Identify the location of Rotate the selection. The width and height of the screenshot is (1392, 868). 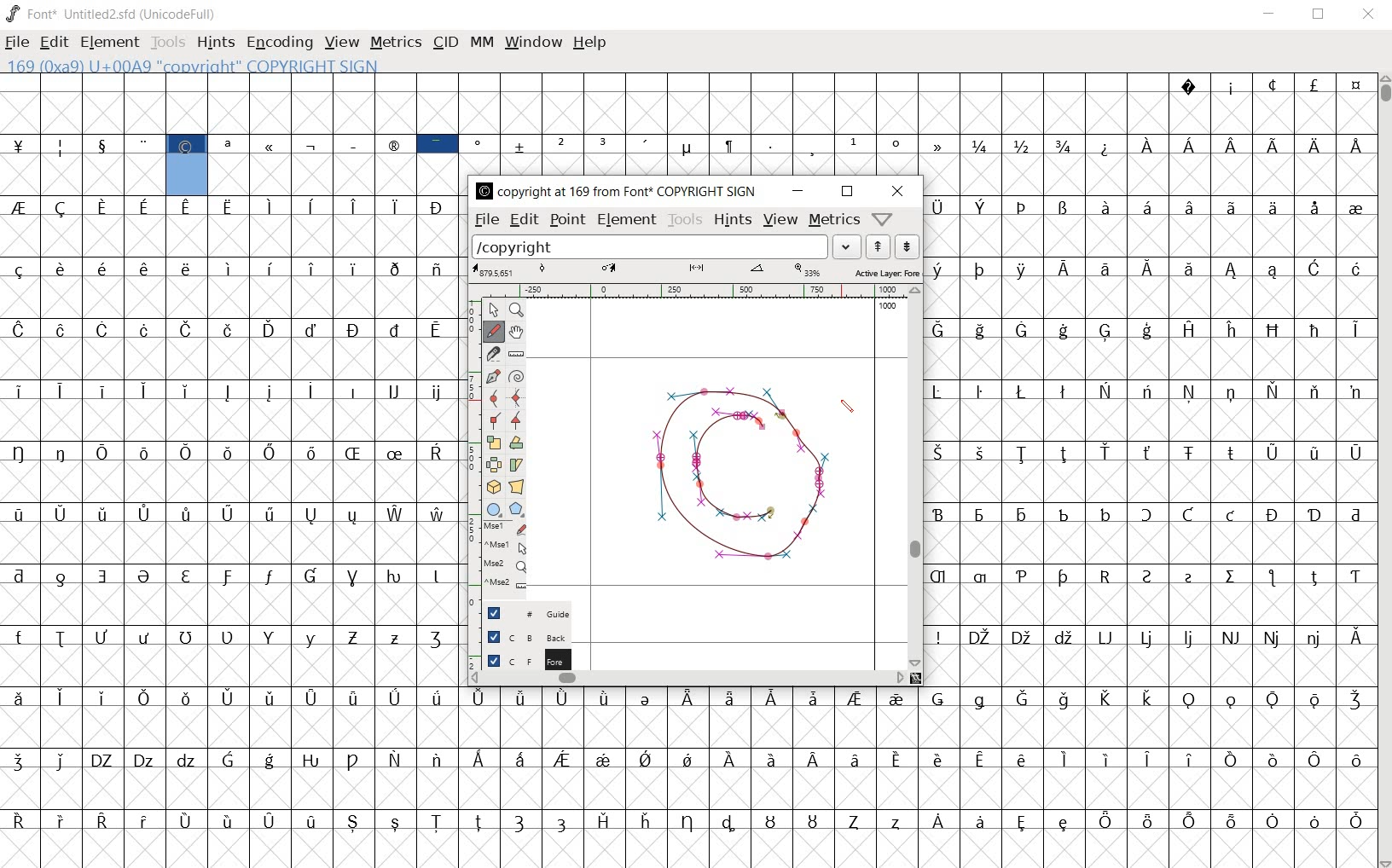
(518, 464).